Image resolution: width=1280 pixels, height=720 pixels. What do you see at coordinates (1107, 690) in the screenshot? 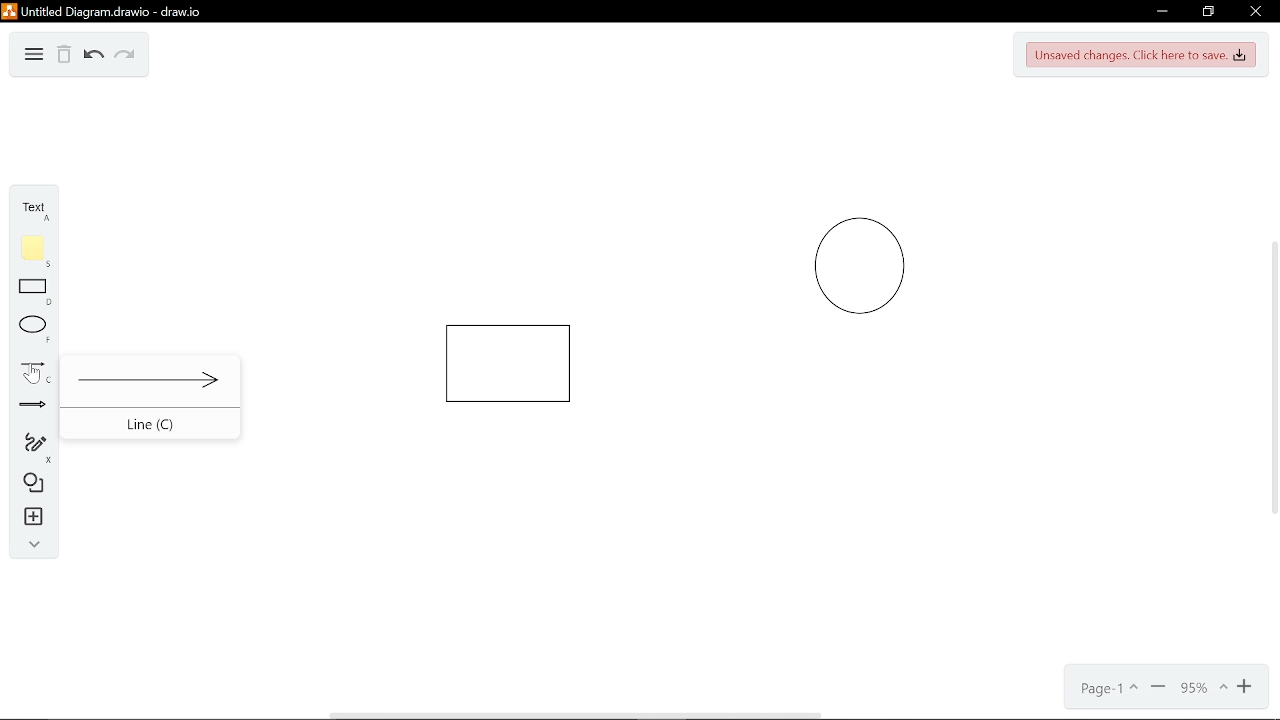
I see `Page- 1` at bounding box center [1107, 690].